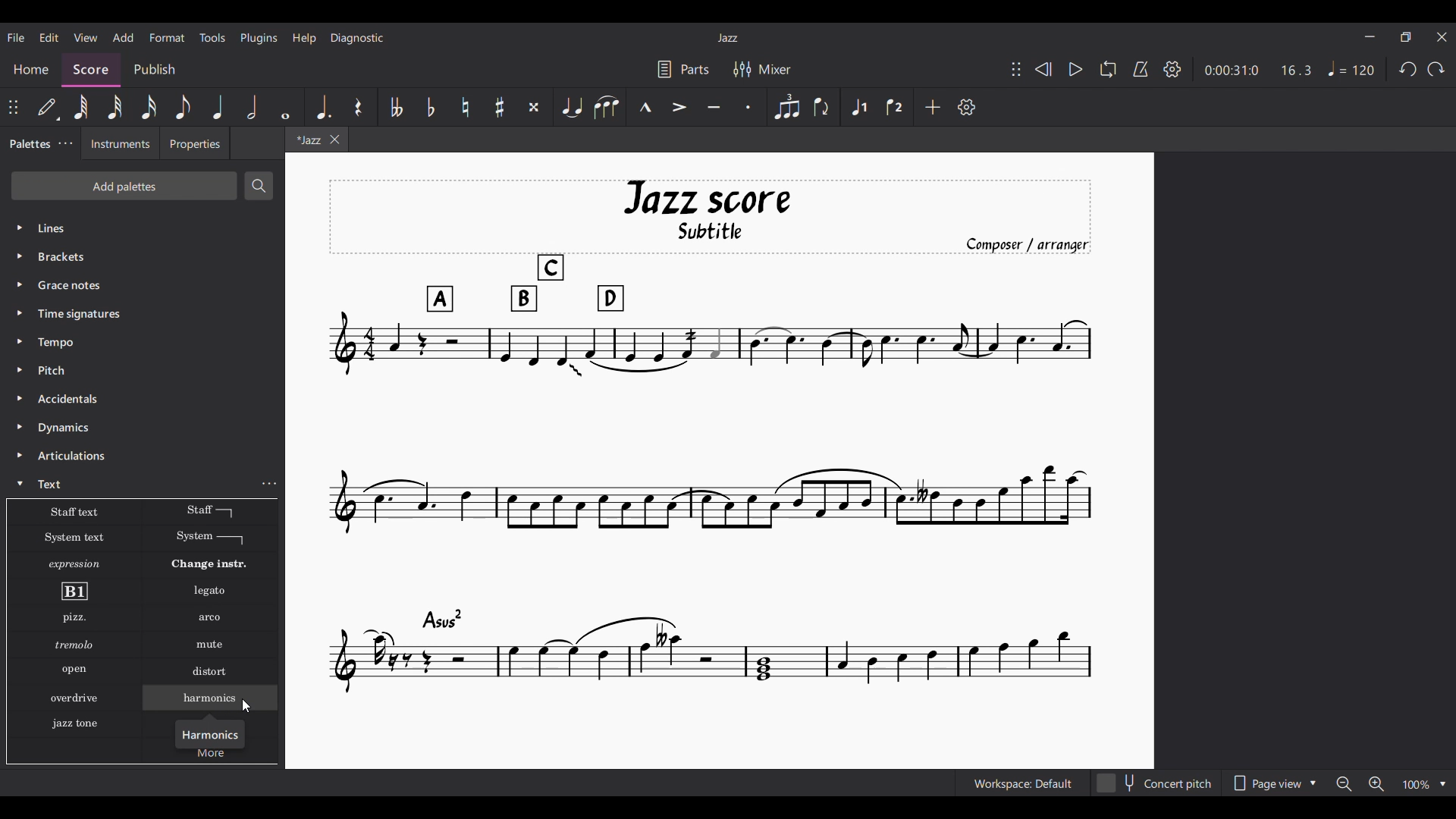  I want to click on Current tab, so click(306, 143).